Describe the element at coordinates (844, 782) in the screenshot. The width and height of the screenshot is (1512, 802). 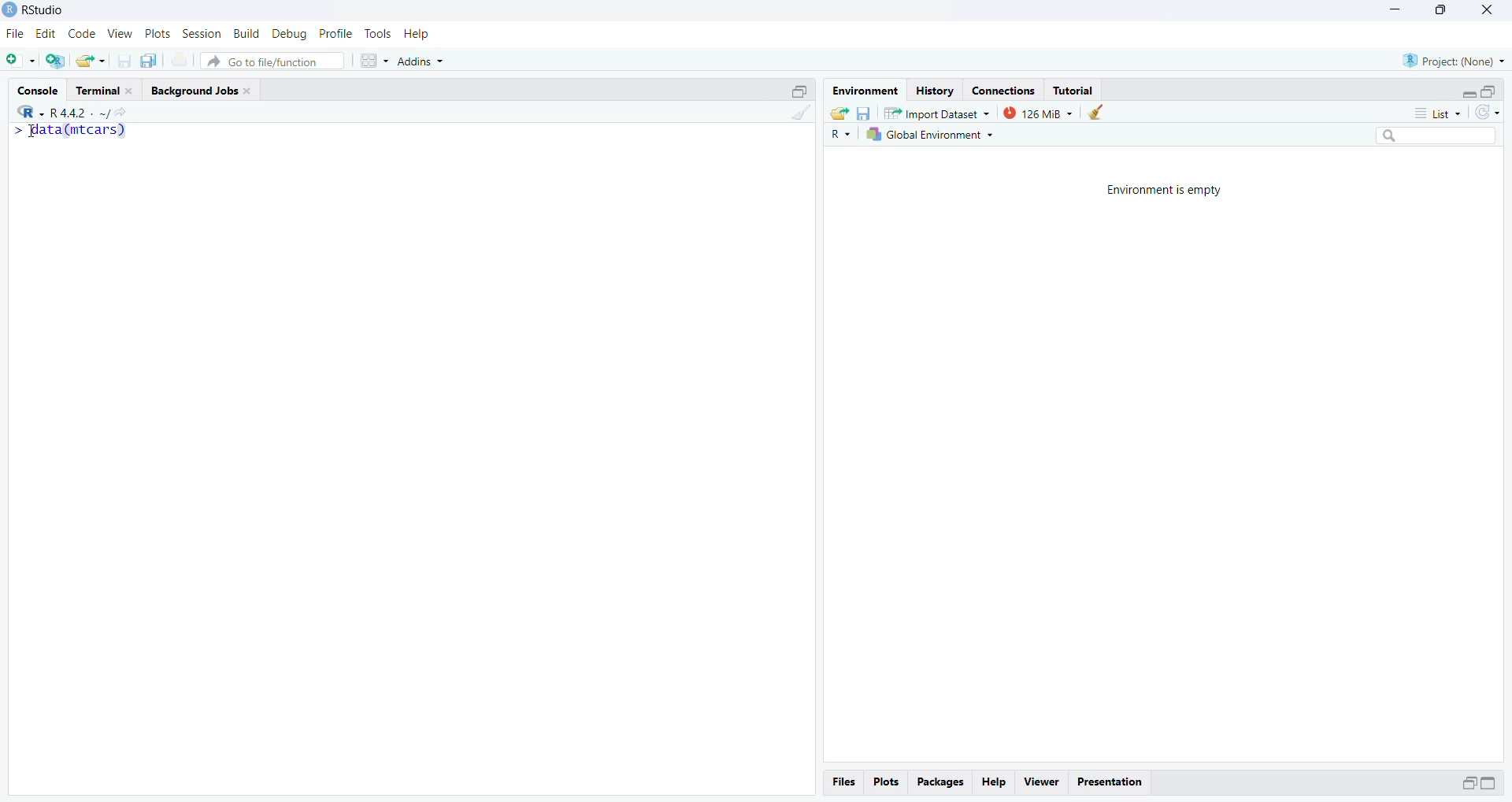
I see `Files` at that location.